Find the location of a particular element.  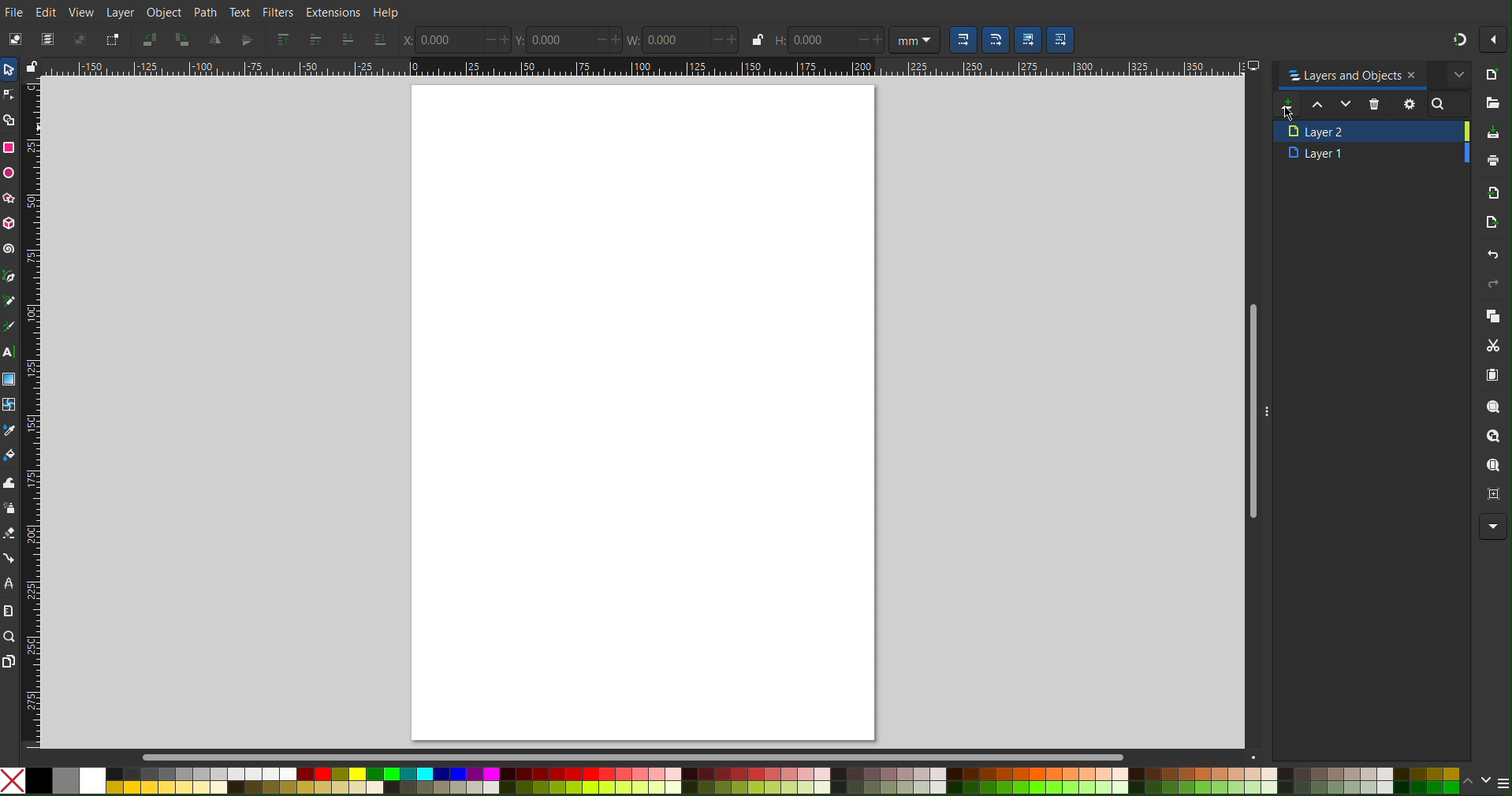

Pencil Tool is located at coordinates (11, 301).